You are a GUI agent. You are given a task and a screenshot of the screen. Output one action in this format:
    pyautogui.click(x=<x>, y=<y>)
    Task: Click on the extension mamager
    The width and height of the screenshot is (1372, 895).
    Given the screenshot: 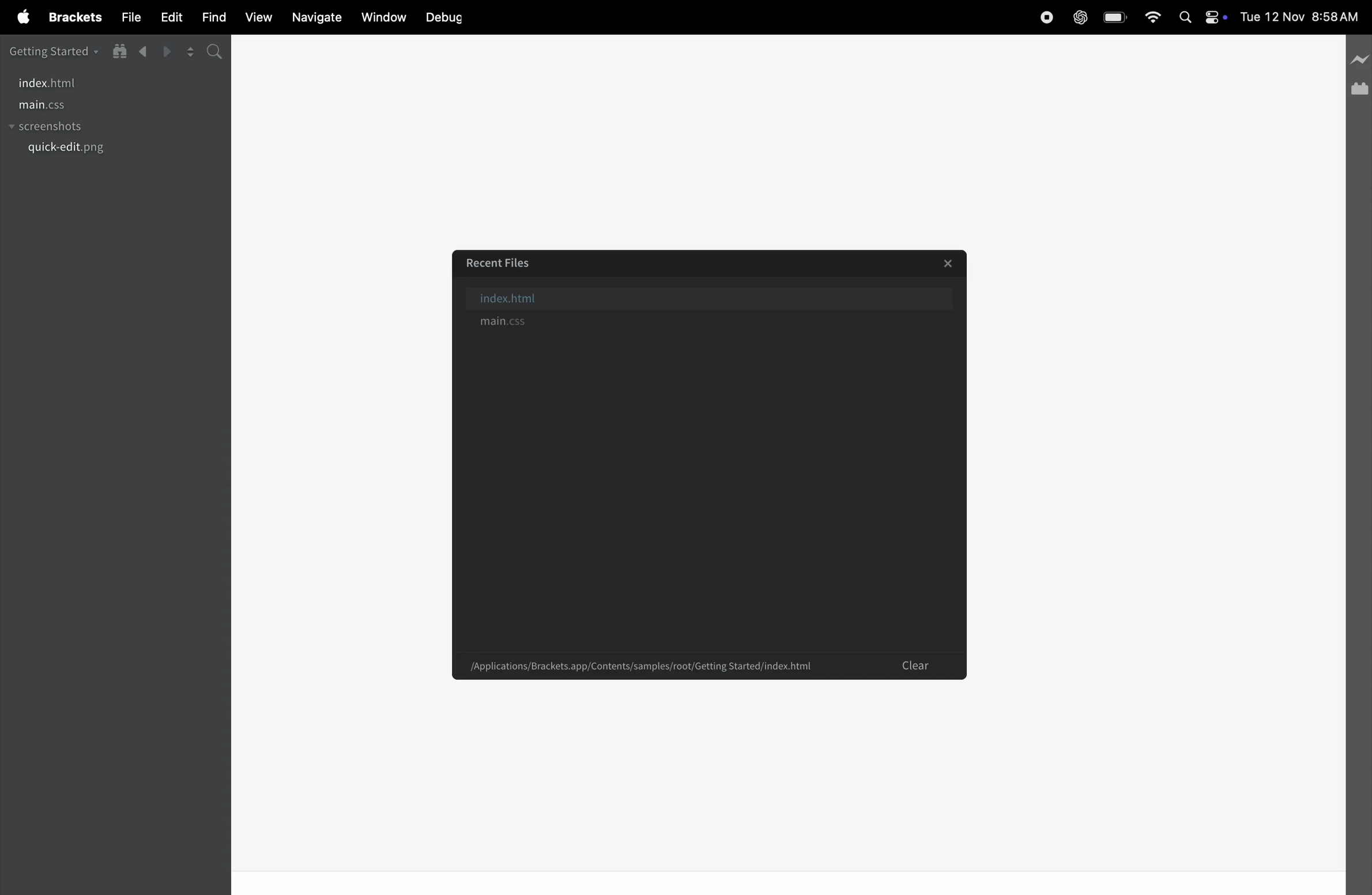 What is the action you would take?
    pyautogui.click(x=1359, y=88)
    